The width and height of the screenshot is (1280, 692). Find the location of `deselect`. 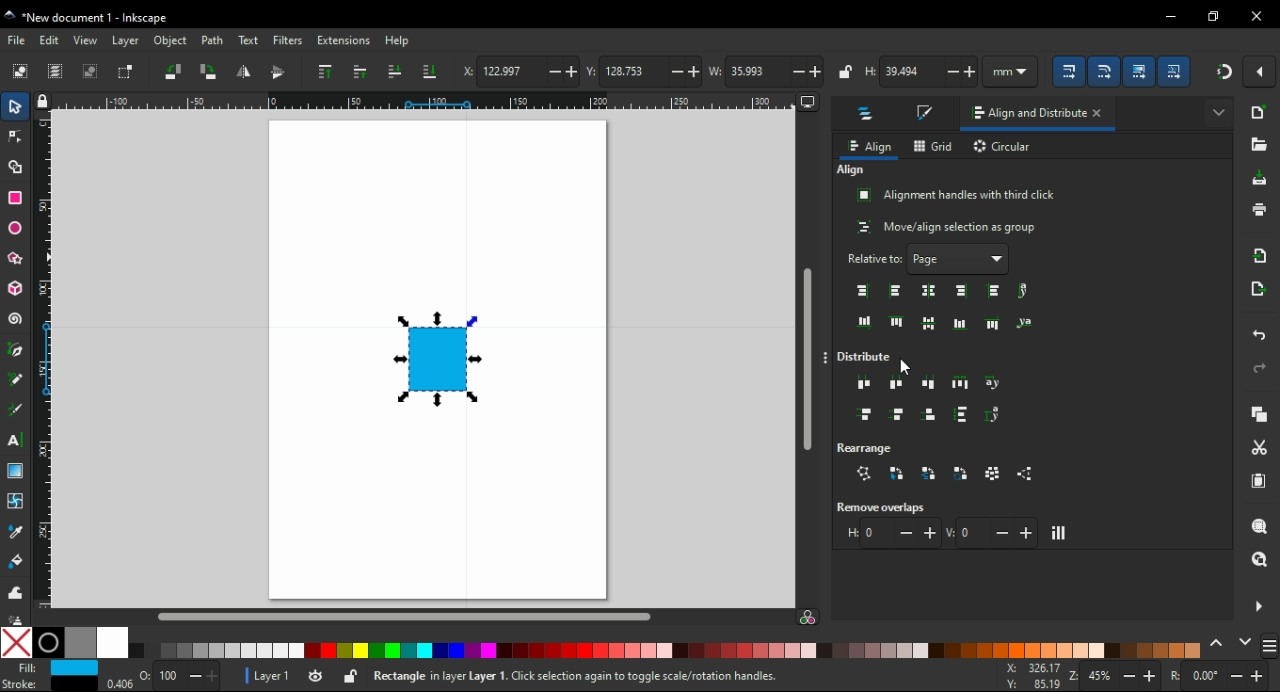

deselect is located at coordinates (93, 71).